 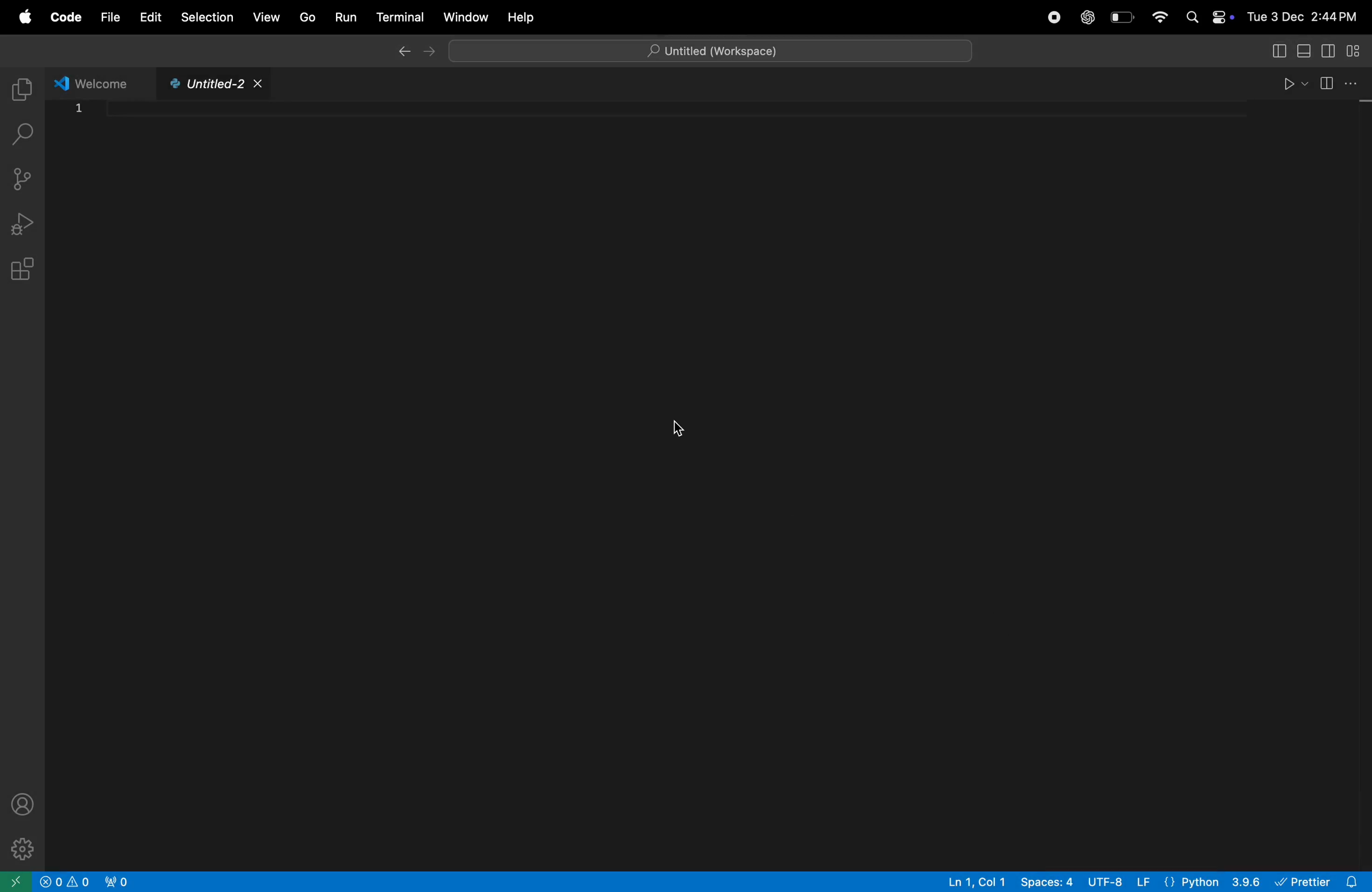 I want to click on python , so click(x=1213, y=881).